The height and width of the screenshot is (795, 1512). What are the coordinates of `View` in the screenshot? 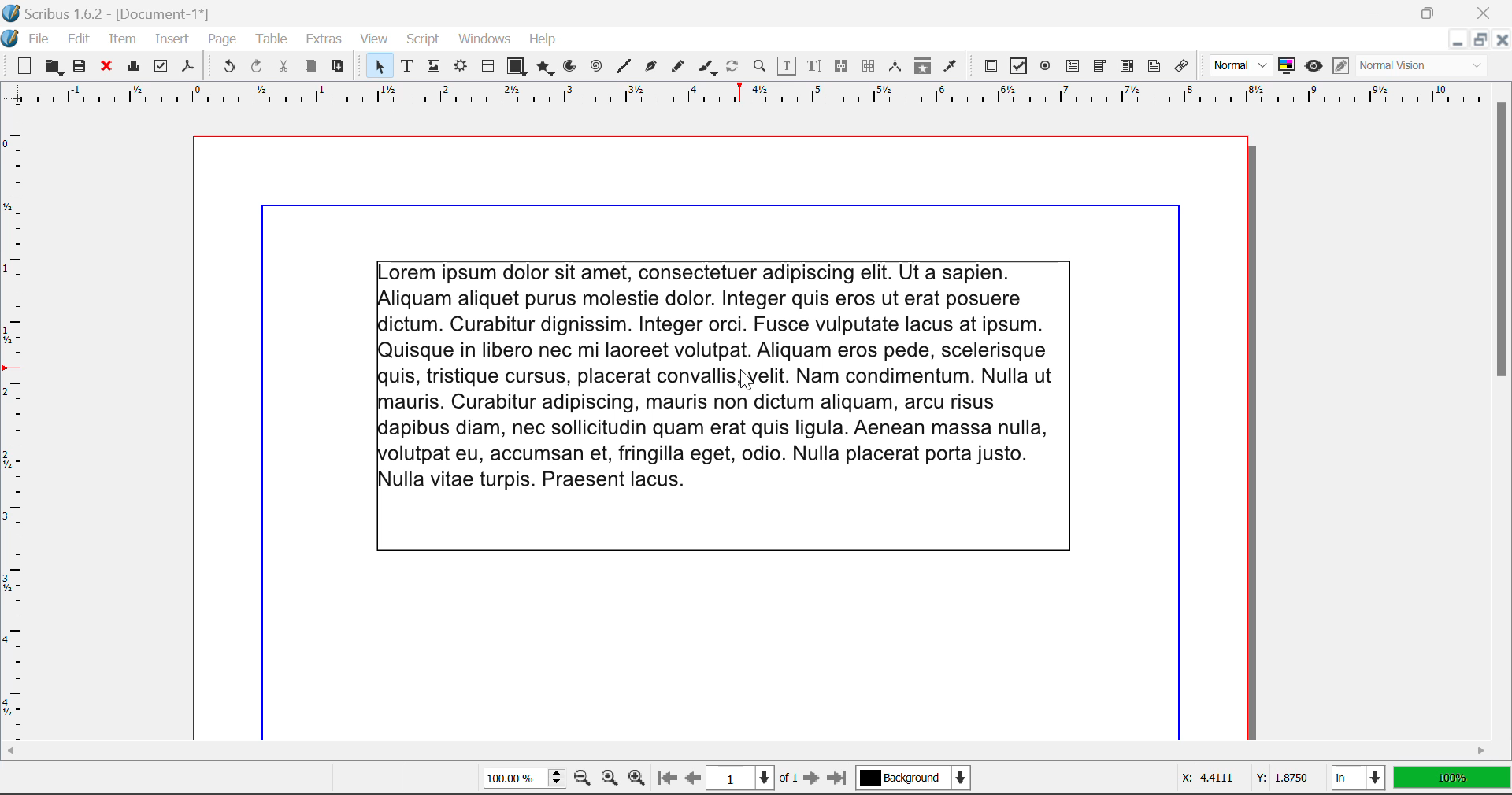 It's located at (374, 39).